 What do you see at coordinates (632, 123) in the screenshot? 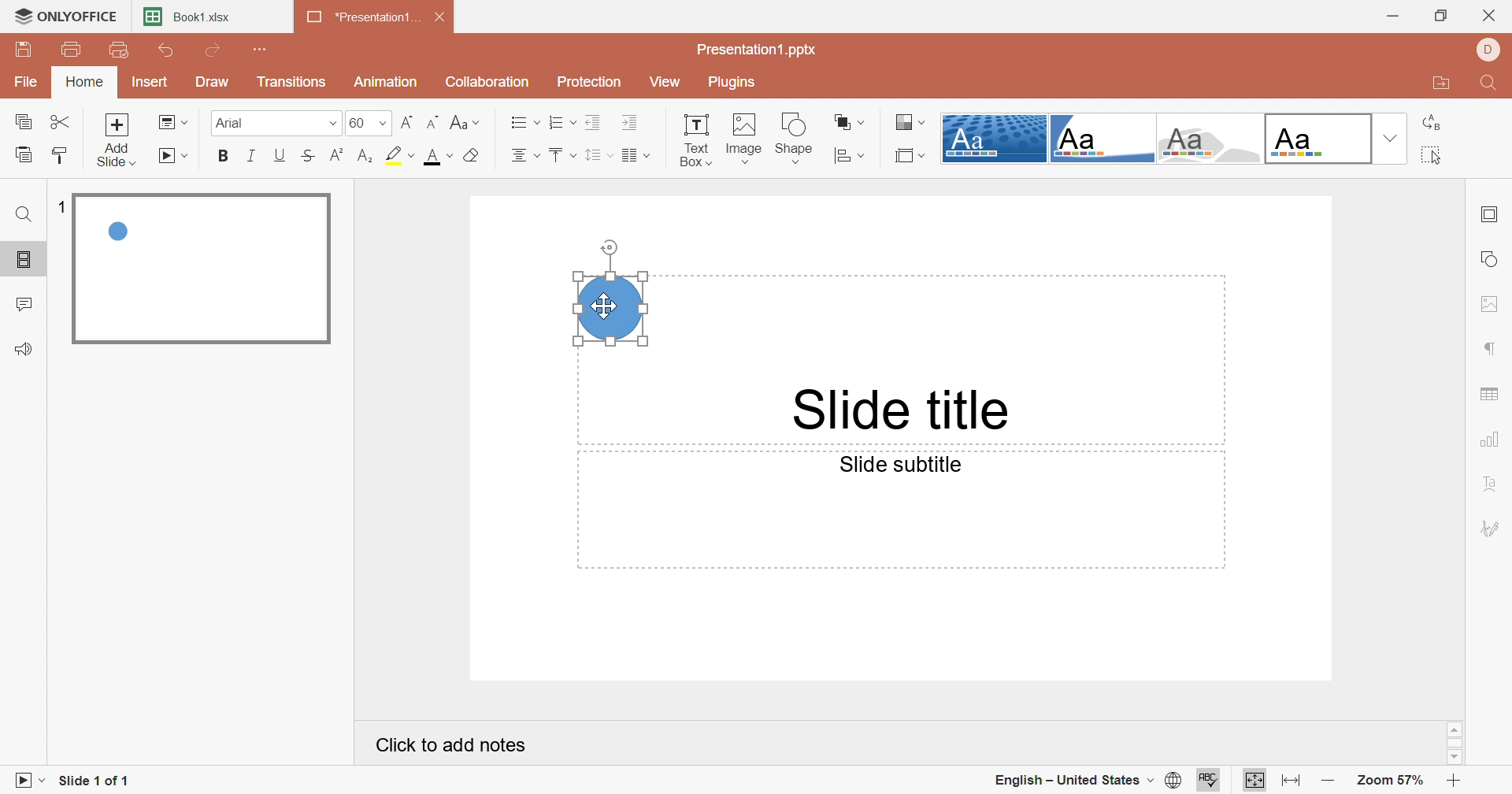
I see `Increase indent` at bounding box center [632, 123].